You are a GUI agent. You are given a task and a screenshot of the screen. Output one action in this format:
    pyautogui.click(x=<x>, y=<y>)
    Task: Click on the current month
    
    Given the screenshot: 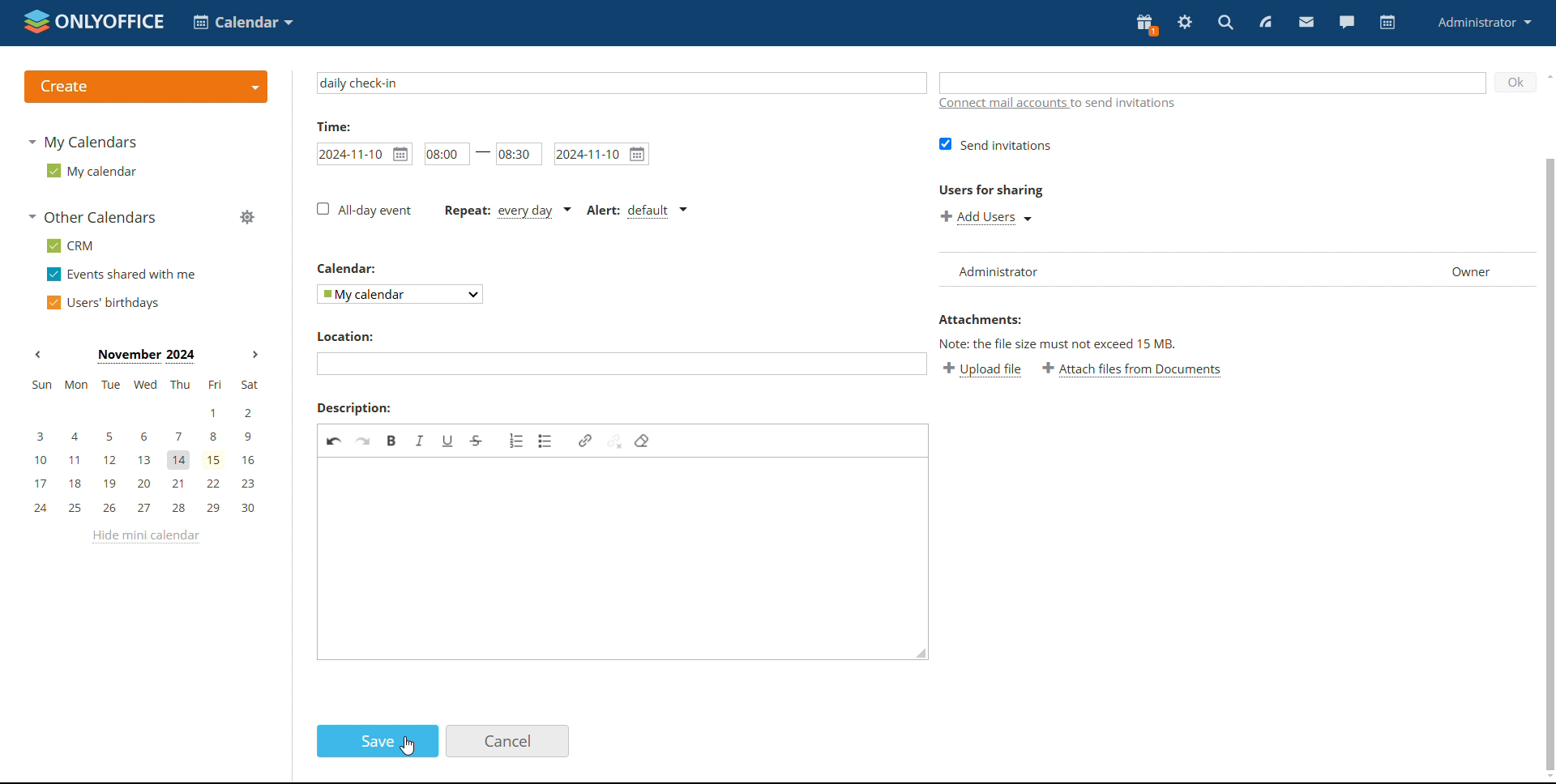 What is the action you would take?
    pyautogui.click(x=144, y=355)
    